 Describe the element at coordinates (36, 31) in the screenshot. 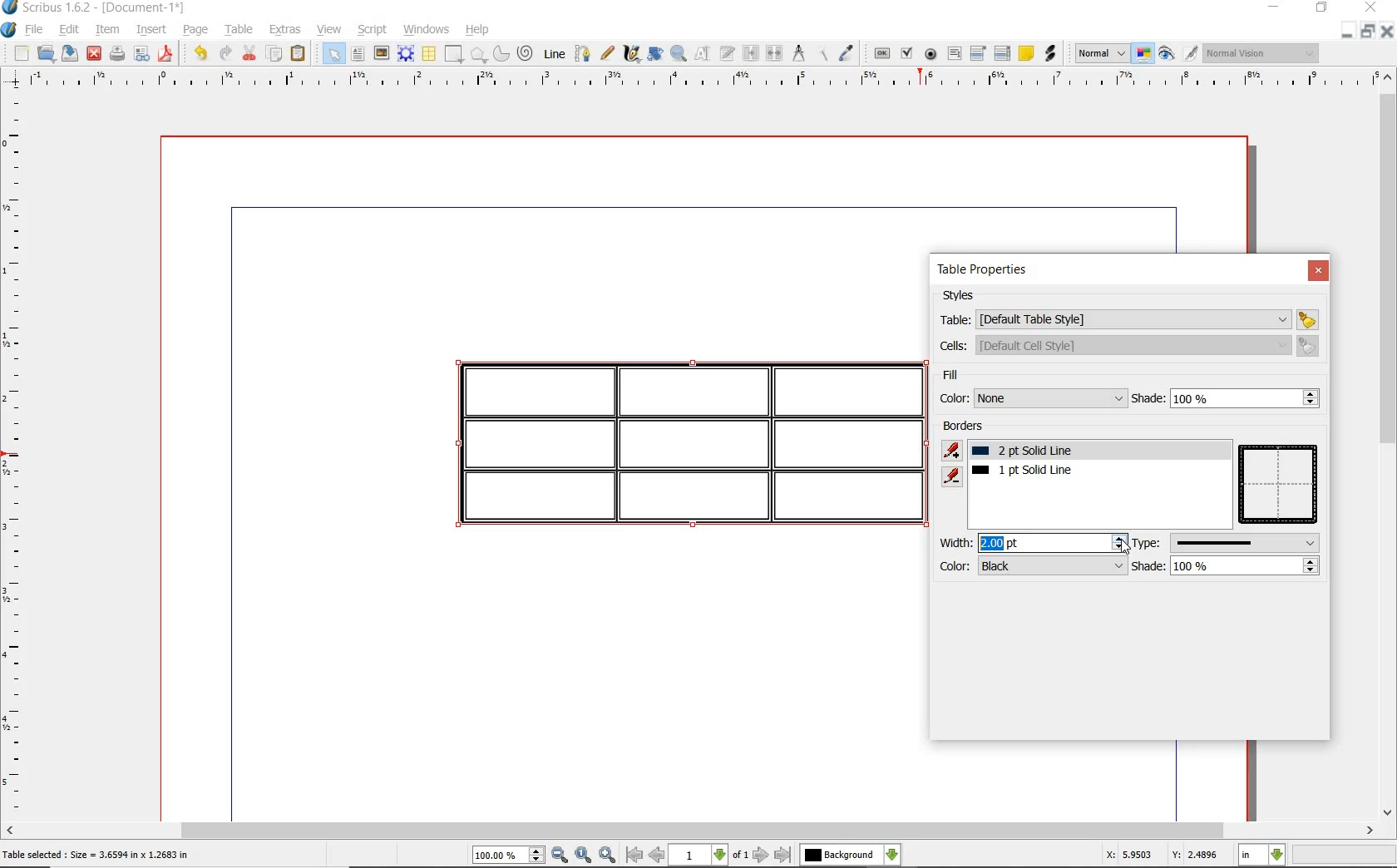

I see `file` at that location.